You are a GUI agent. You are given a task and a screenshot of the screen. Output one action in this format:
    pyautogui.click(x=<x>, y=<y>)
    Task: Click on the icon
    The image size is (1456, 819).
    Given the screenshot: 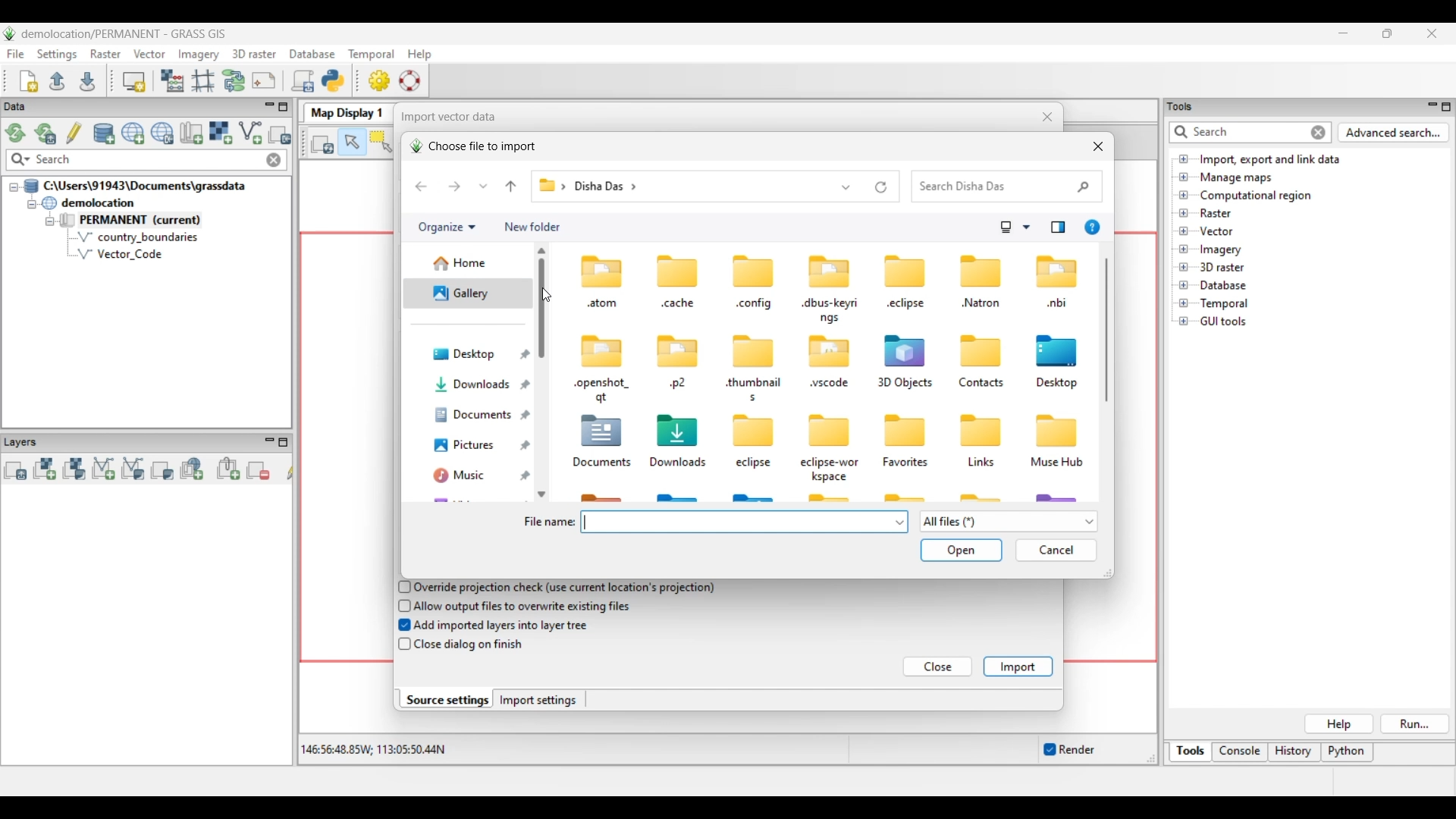 What is the action you would take?
    pyautogui.click(x=748, y=431)
    